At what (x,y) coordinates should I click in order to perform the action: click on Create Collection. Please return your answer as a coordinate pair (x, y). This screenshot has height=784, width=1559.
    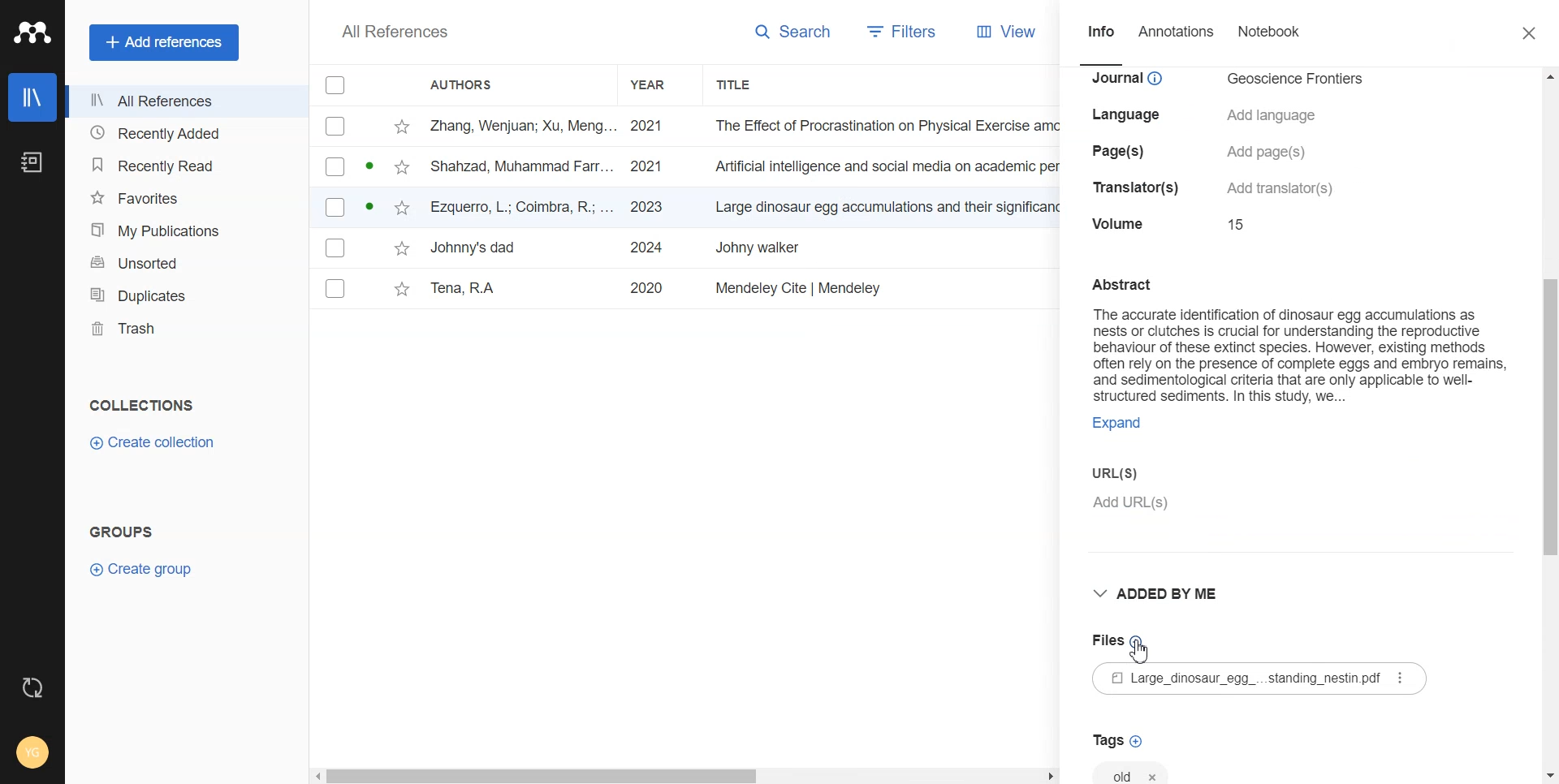
    Looking at the image, I should click on (153, 443).